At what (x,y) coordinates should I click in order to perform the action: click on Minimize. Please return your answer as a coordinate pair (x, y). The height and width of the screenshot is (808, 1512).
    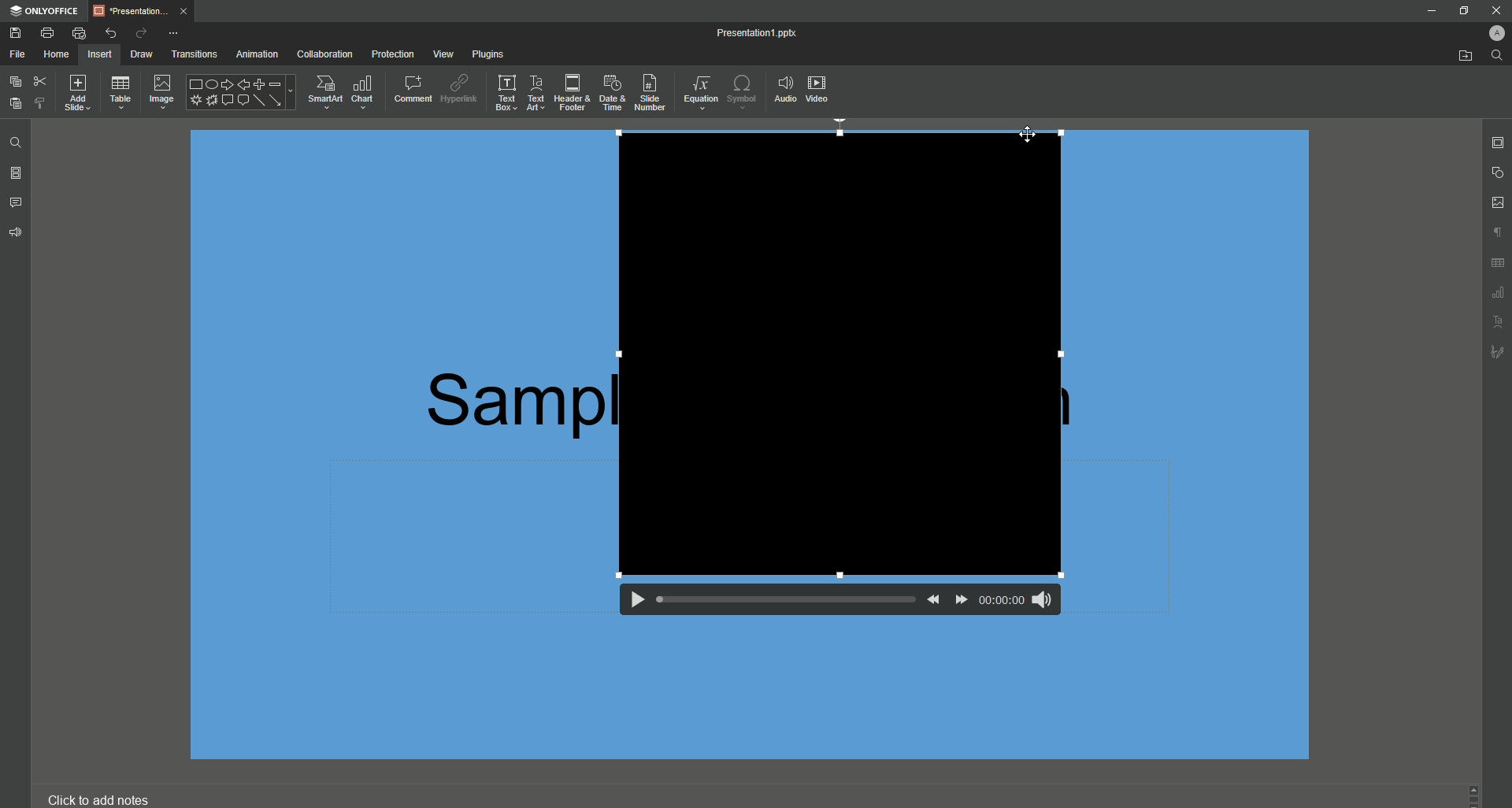
    Looking at the image, I should click on (1431, 10).